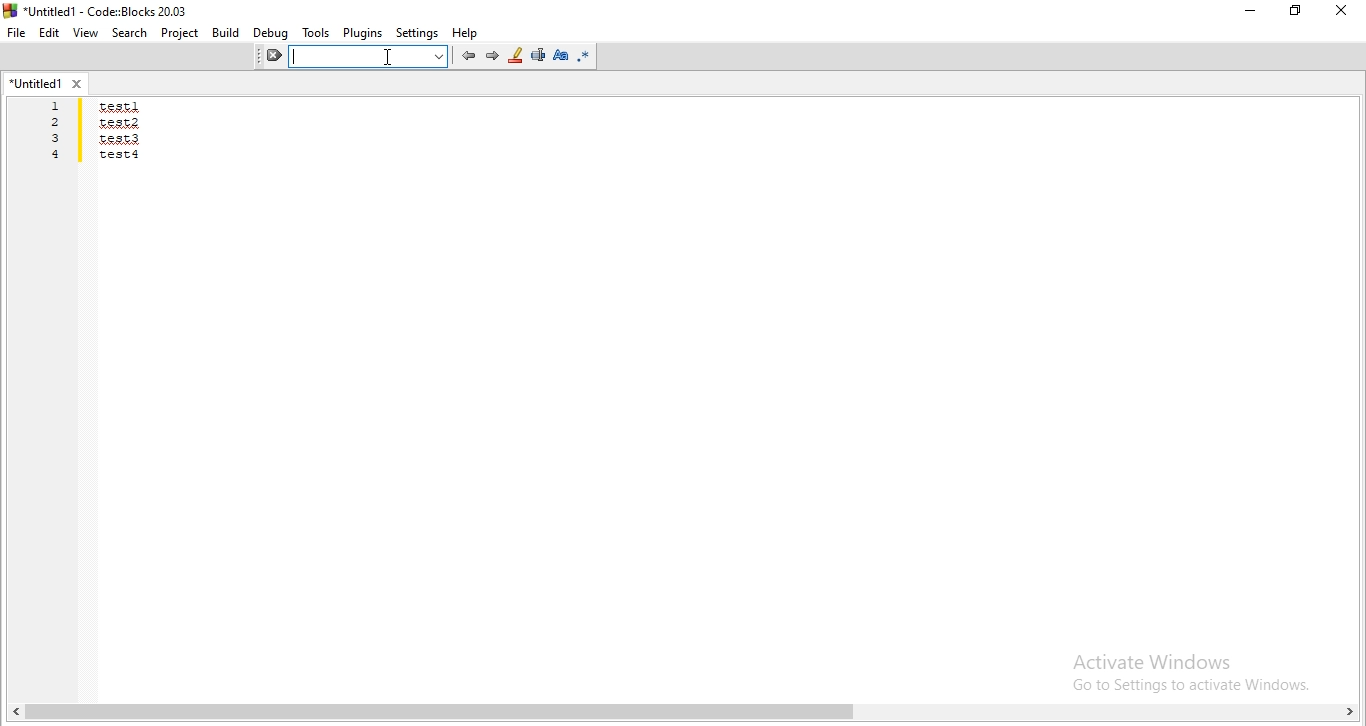 The width and height of the screenshot is (1366, 726). I want to click on Project, so click(180, 33).